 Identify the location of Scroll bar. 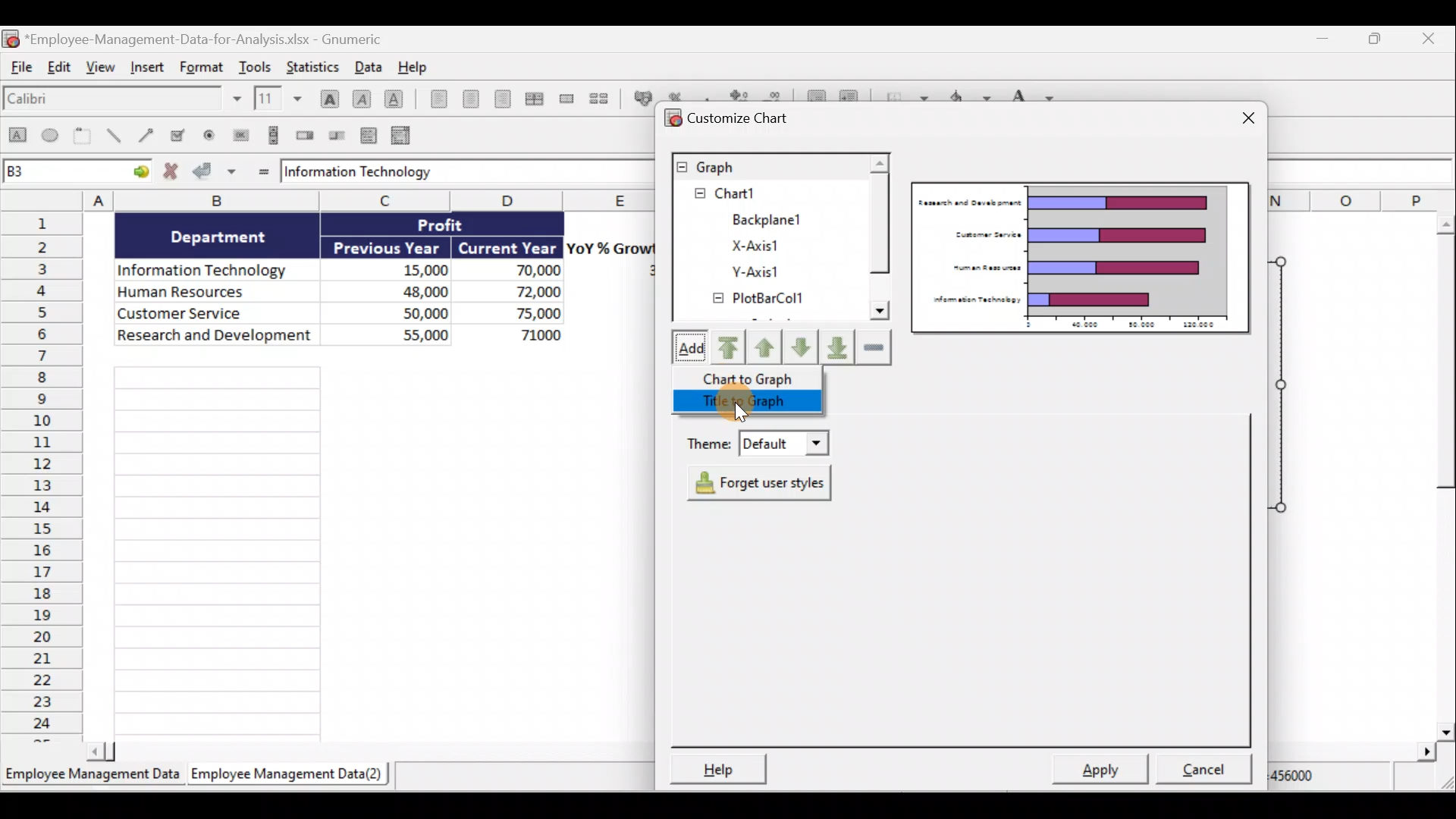
(1438, 476).